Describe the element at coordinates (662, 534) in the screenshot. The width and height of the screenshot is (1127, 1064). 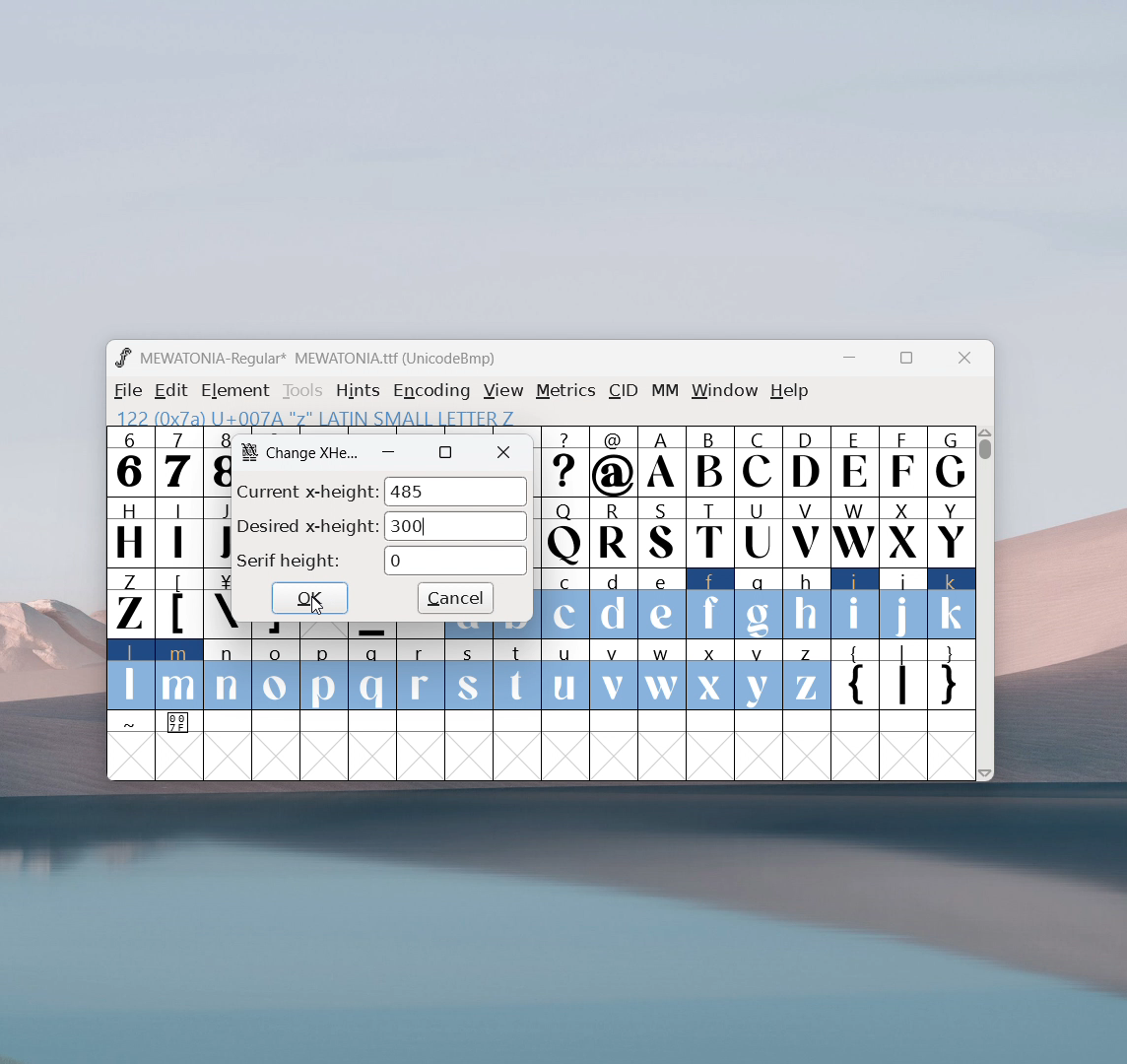
I see `S` at that location.